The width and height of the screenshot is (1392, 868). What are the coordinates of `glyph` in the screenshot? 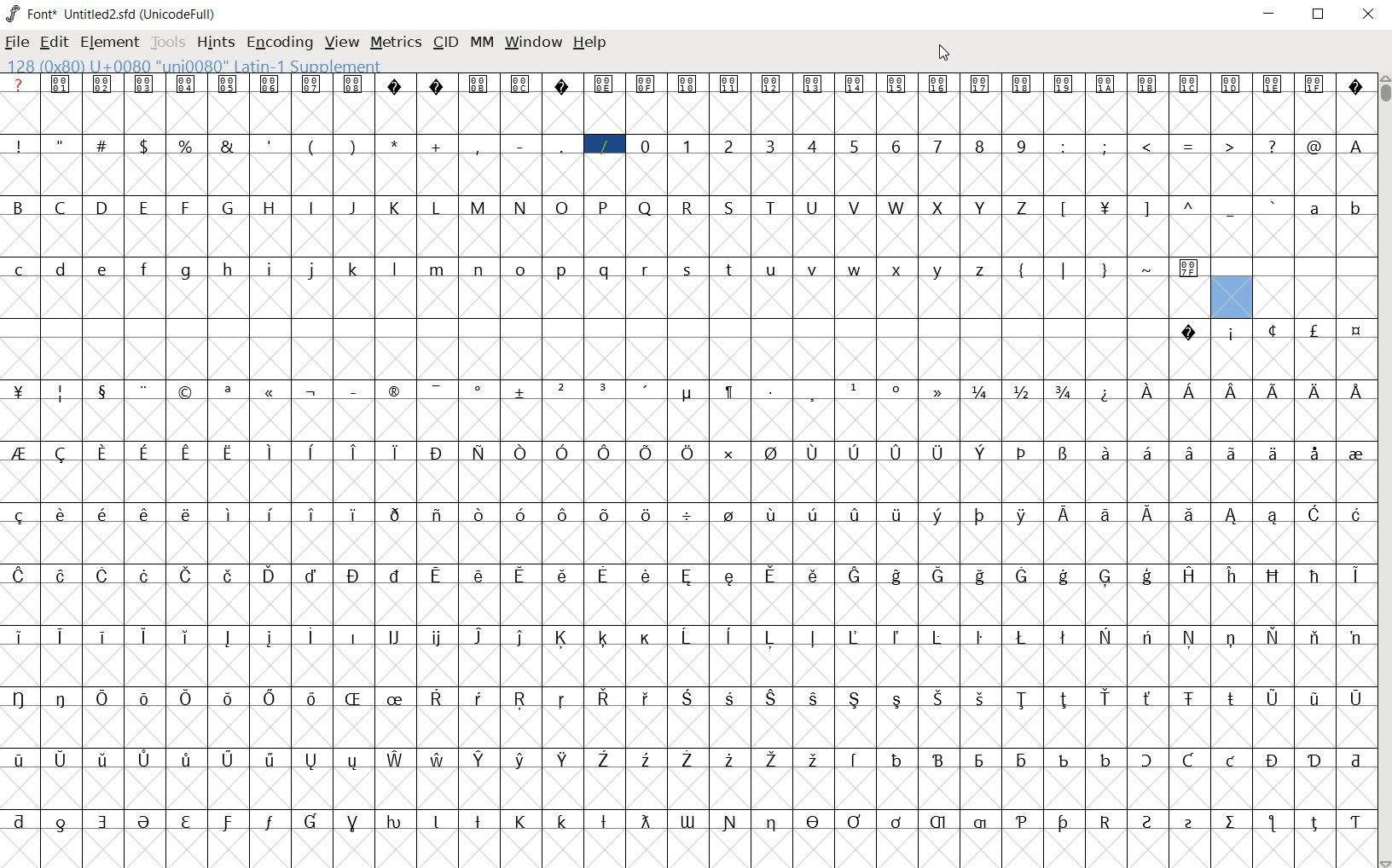 It's located at (937, 146).